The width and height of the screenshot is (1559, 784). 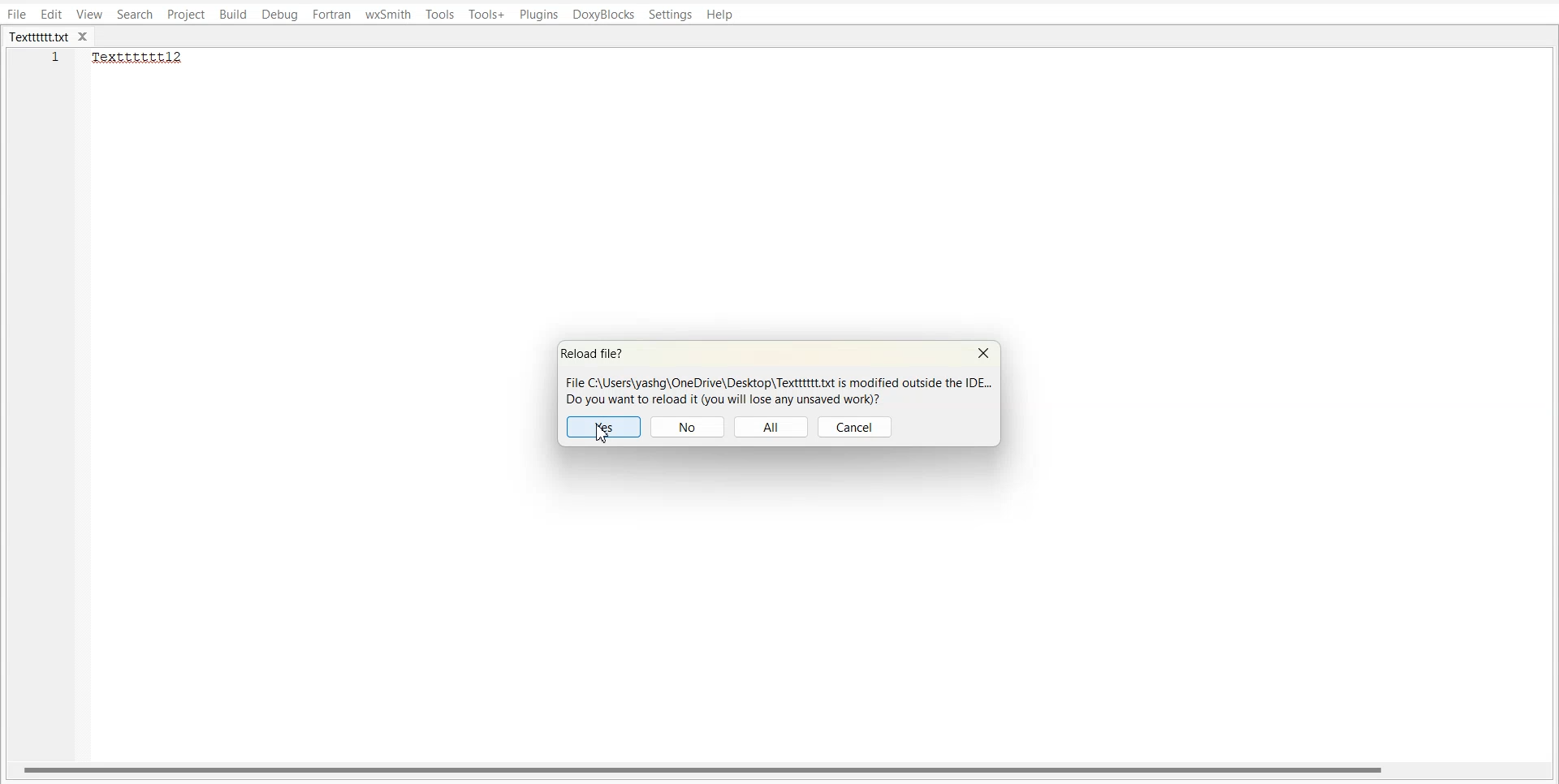 I want to click on Cancel, so click(x=856, y=427).